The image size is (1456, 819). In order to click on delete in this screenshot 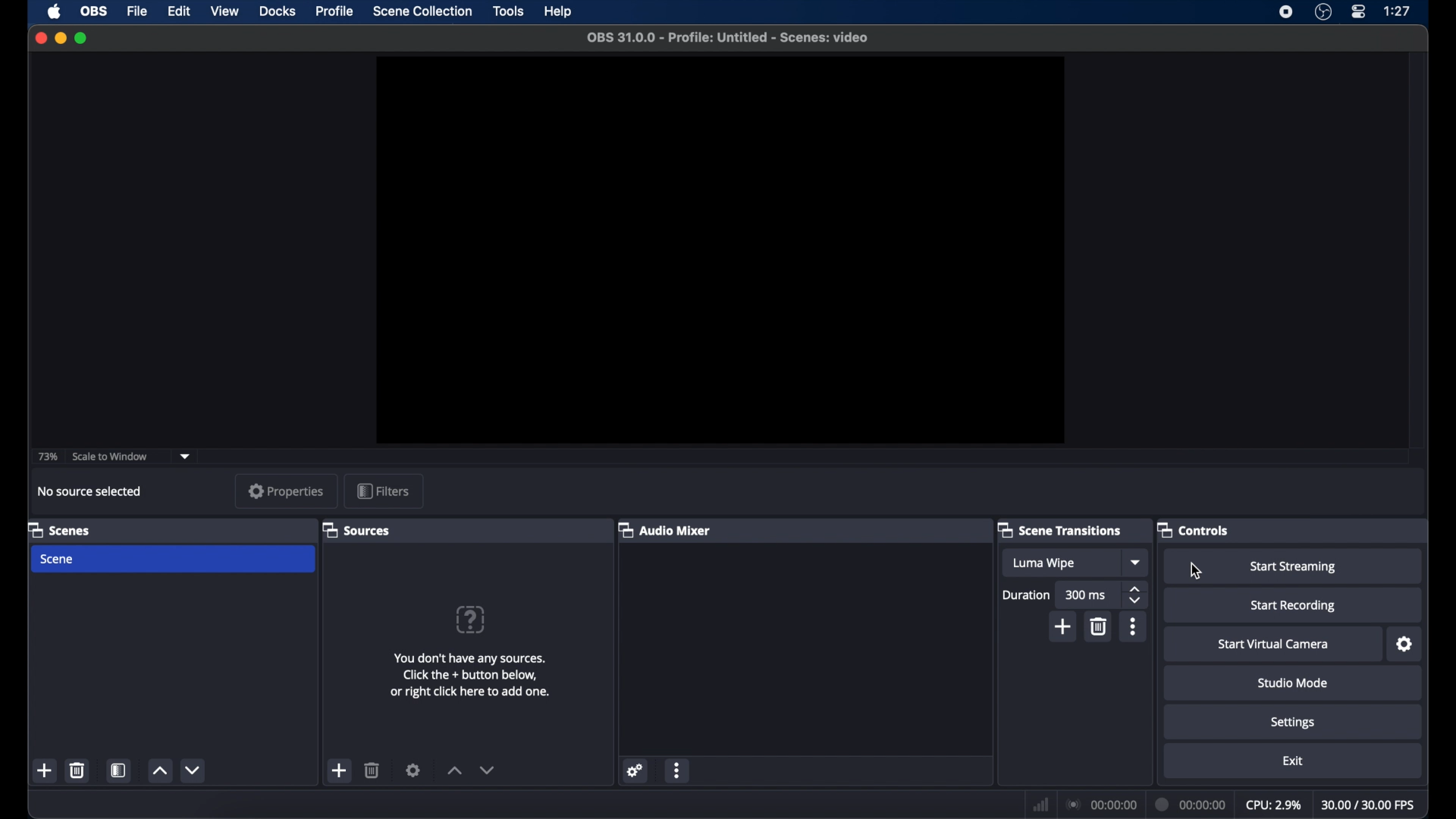, I will do `click(78, 770)`.